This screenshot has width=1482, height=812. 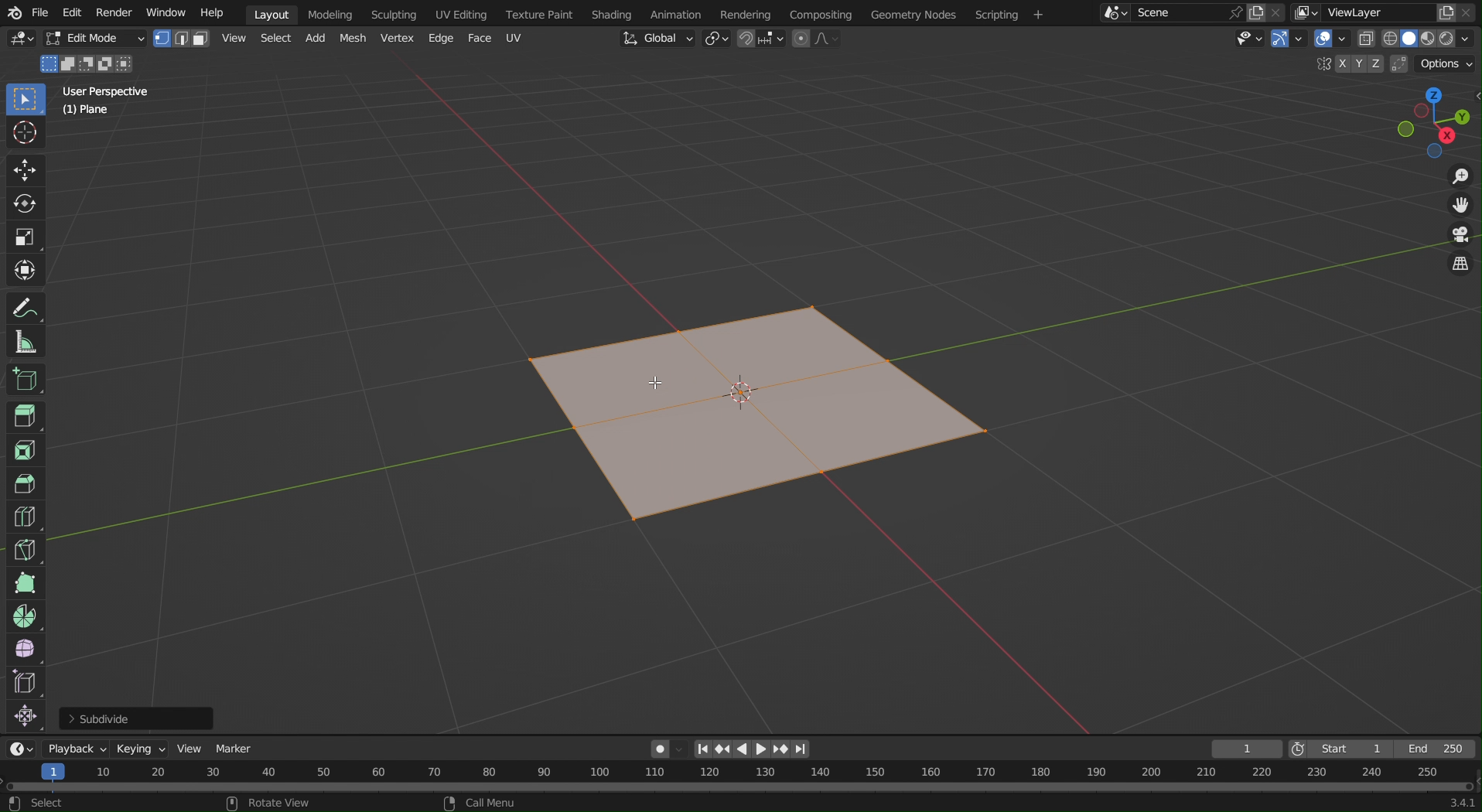 I want to click on Viewport Shading, so click(x=1420, y=39).